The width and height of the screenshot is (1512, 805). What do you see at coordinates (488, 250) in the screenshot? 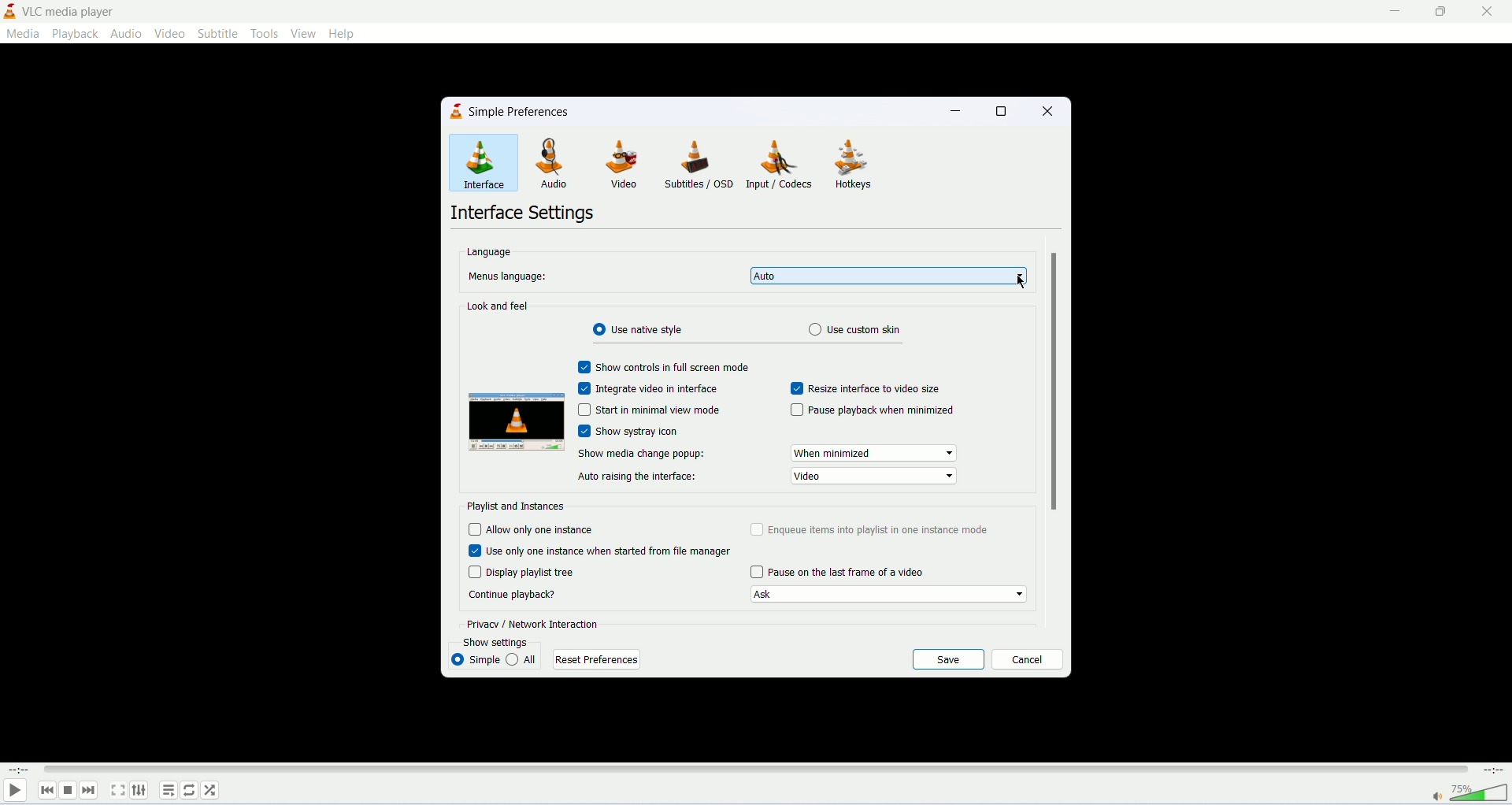
I see `language` at bounding box center [488, 250].